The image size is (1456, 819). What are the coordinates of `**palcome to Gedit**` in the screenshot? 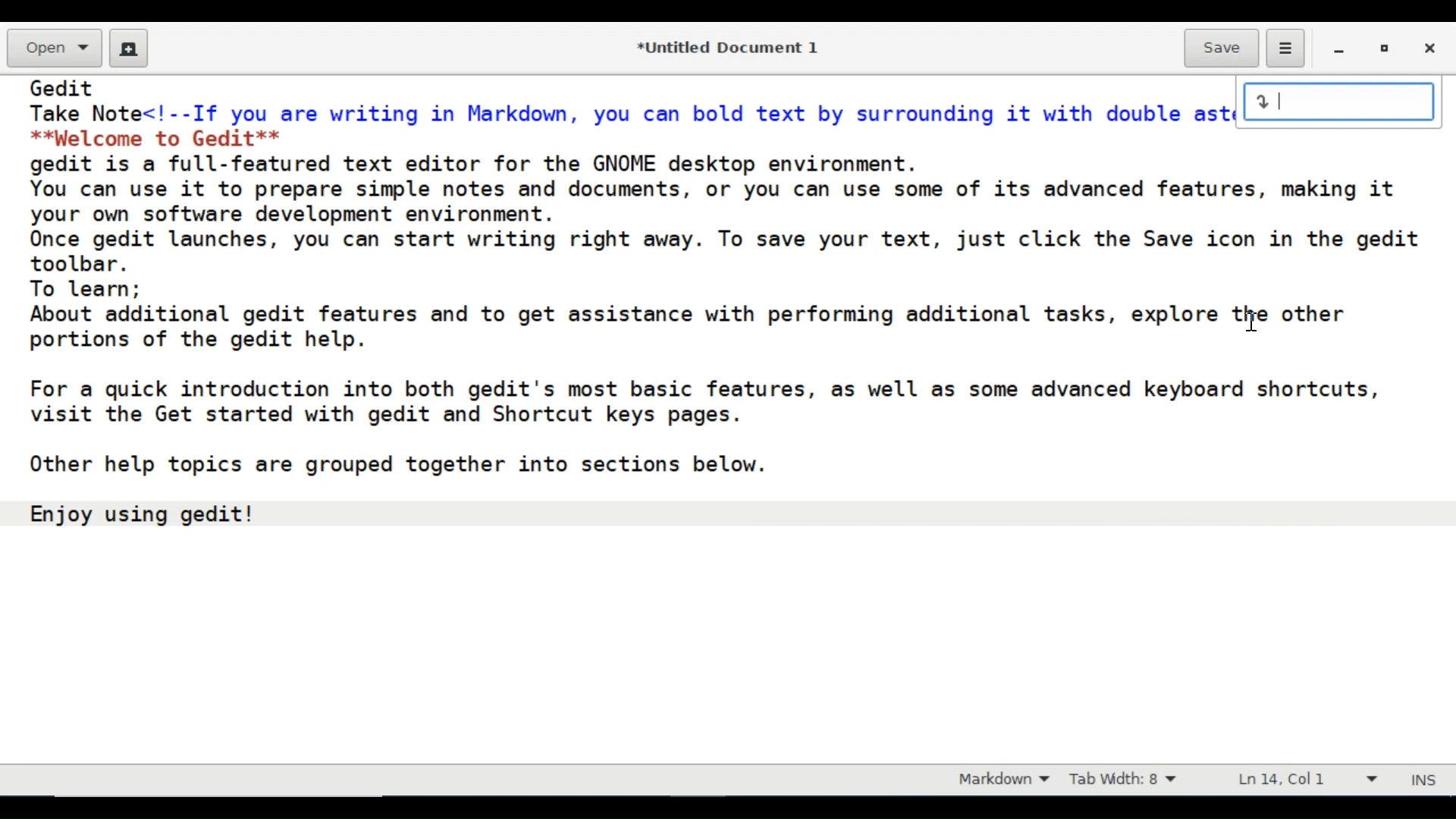 It's located at (162, 137).